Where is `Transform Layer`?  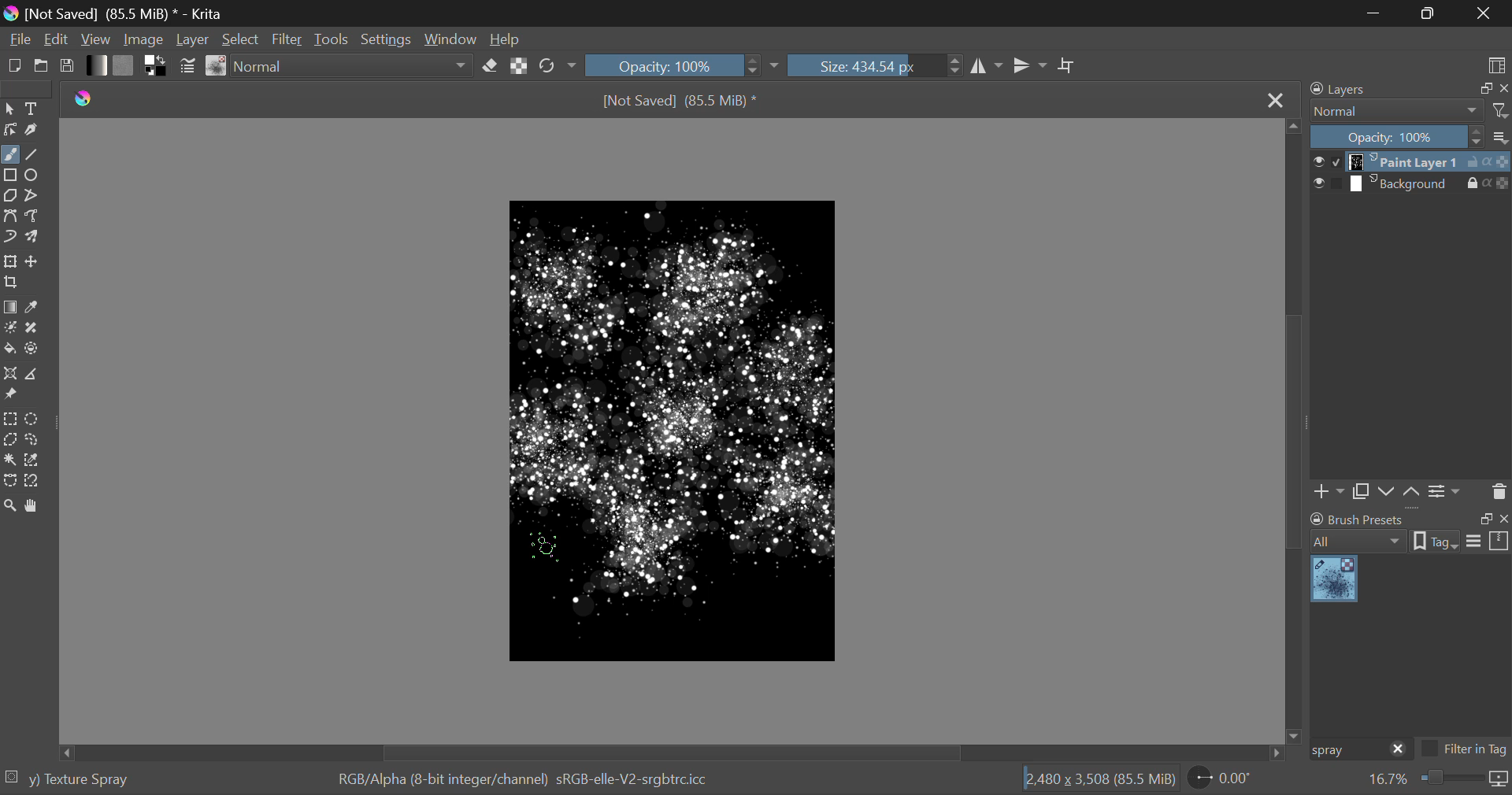
Transform Layer is located at coordinates (10, 261).